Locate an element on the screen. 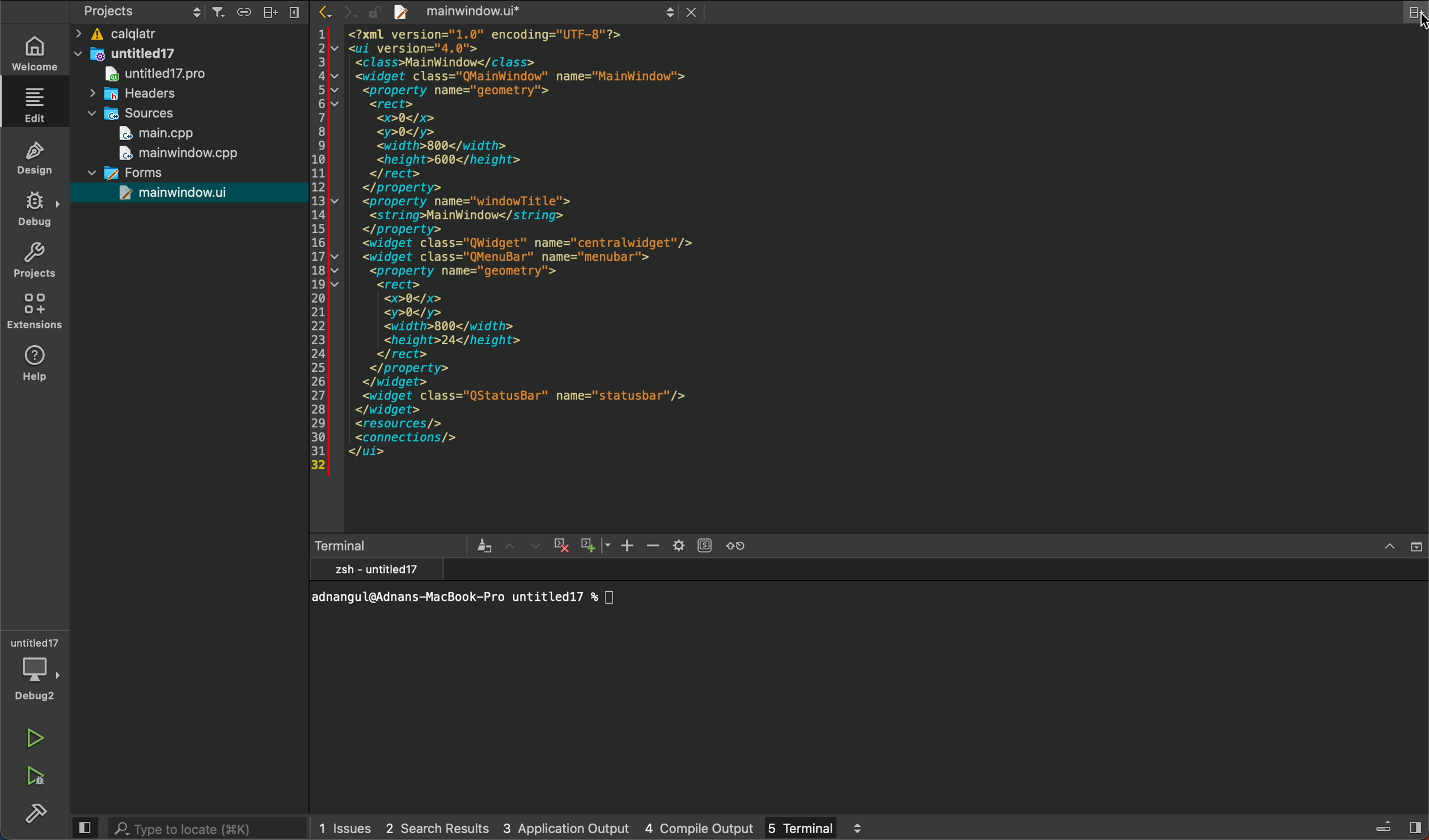 The width and height of the screenshot is (1429, 840). cursor is located at coordinates (1419, 23).